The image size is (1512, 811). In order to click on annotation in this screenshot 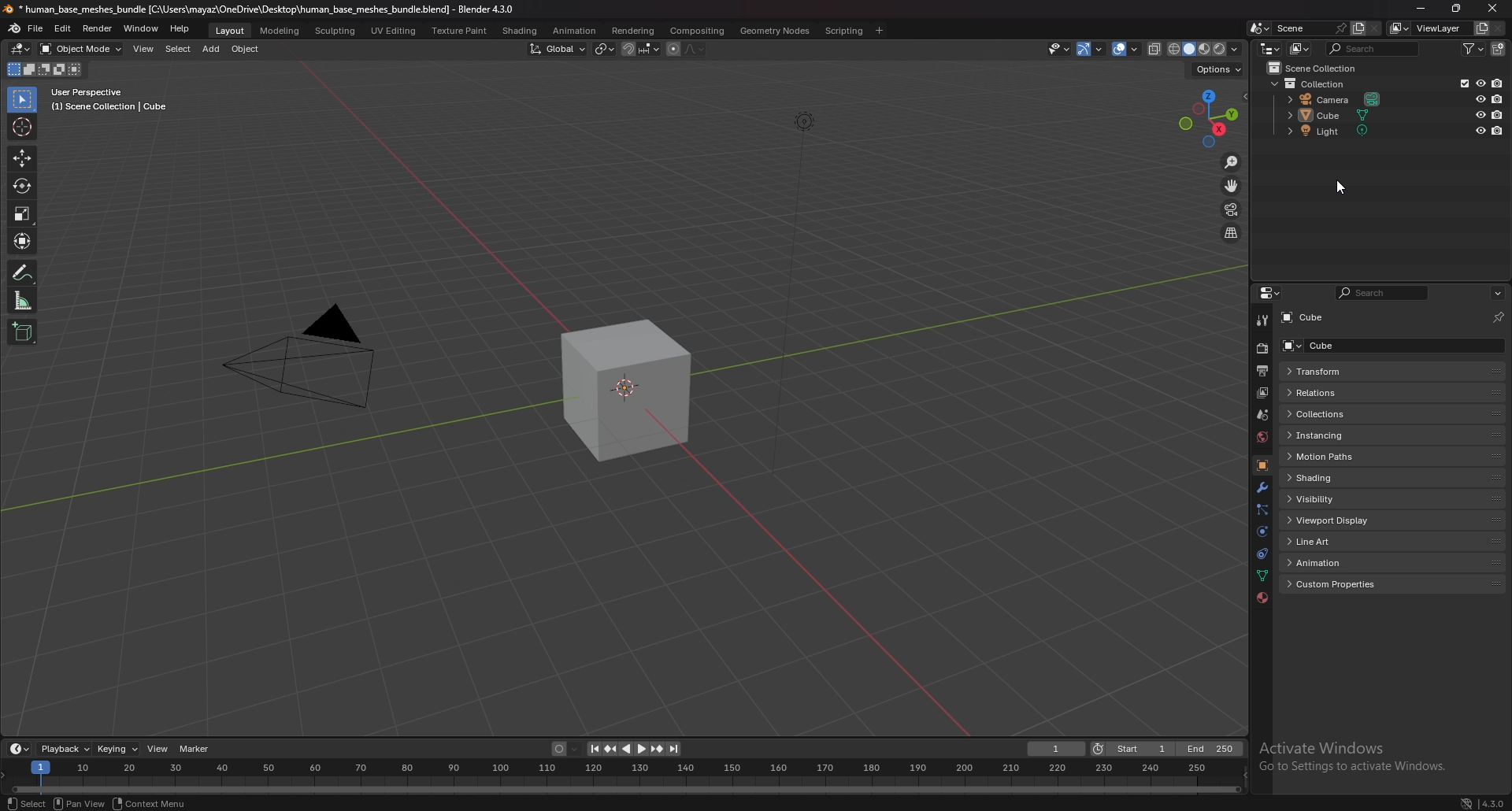, I will do `click(24, 272)`.